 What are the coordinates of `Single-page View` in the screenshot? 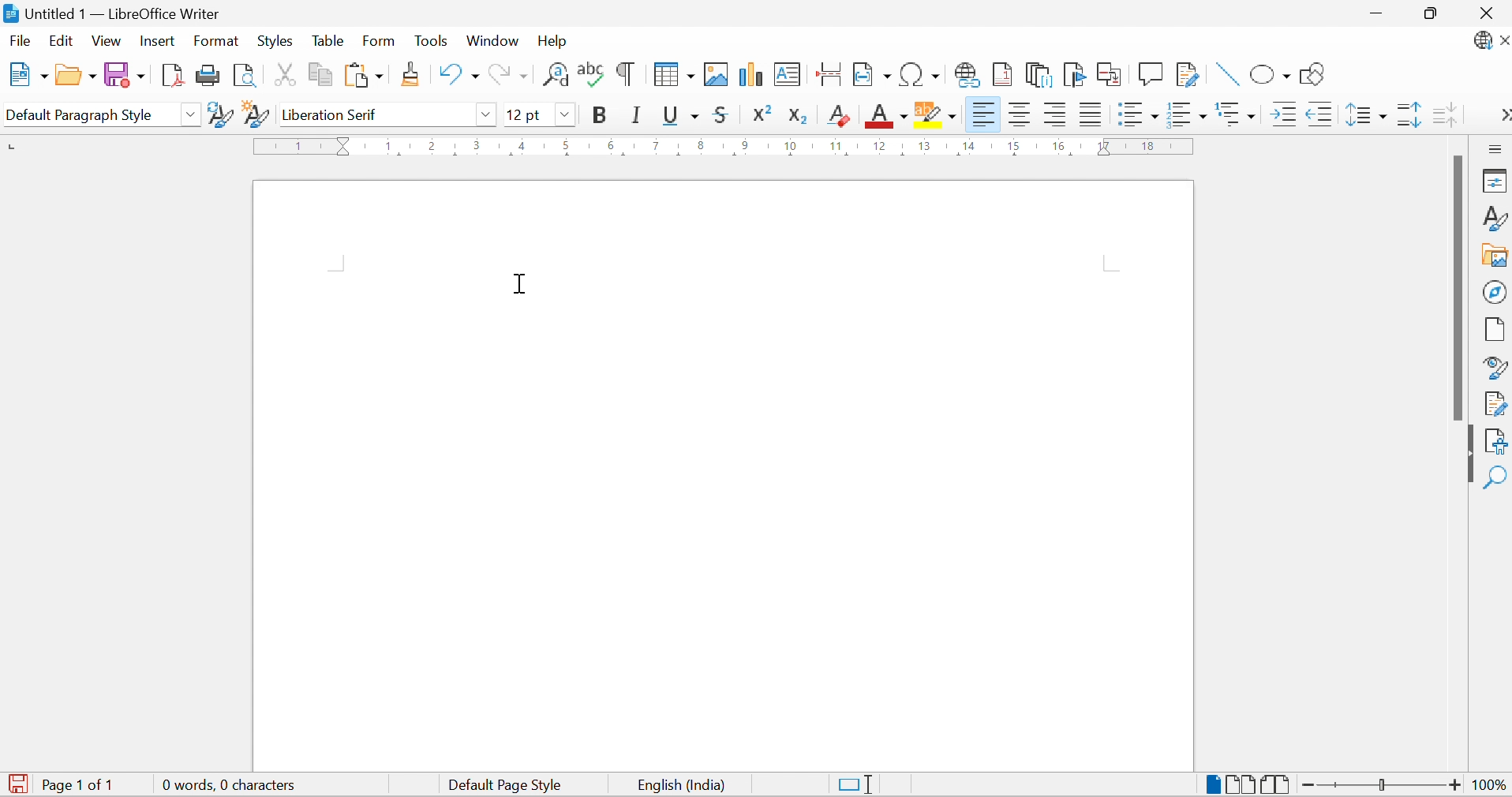 It's located at (1212, 782).